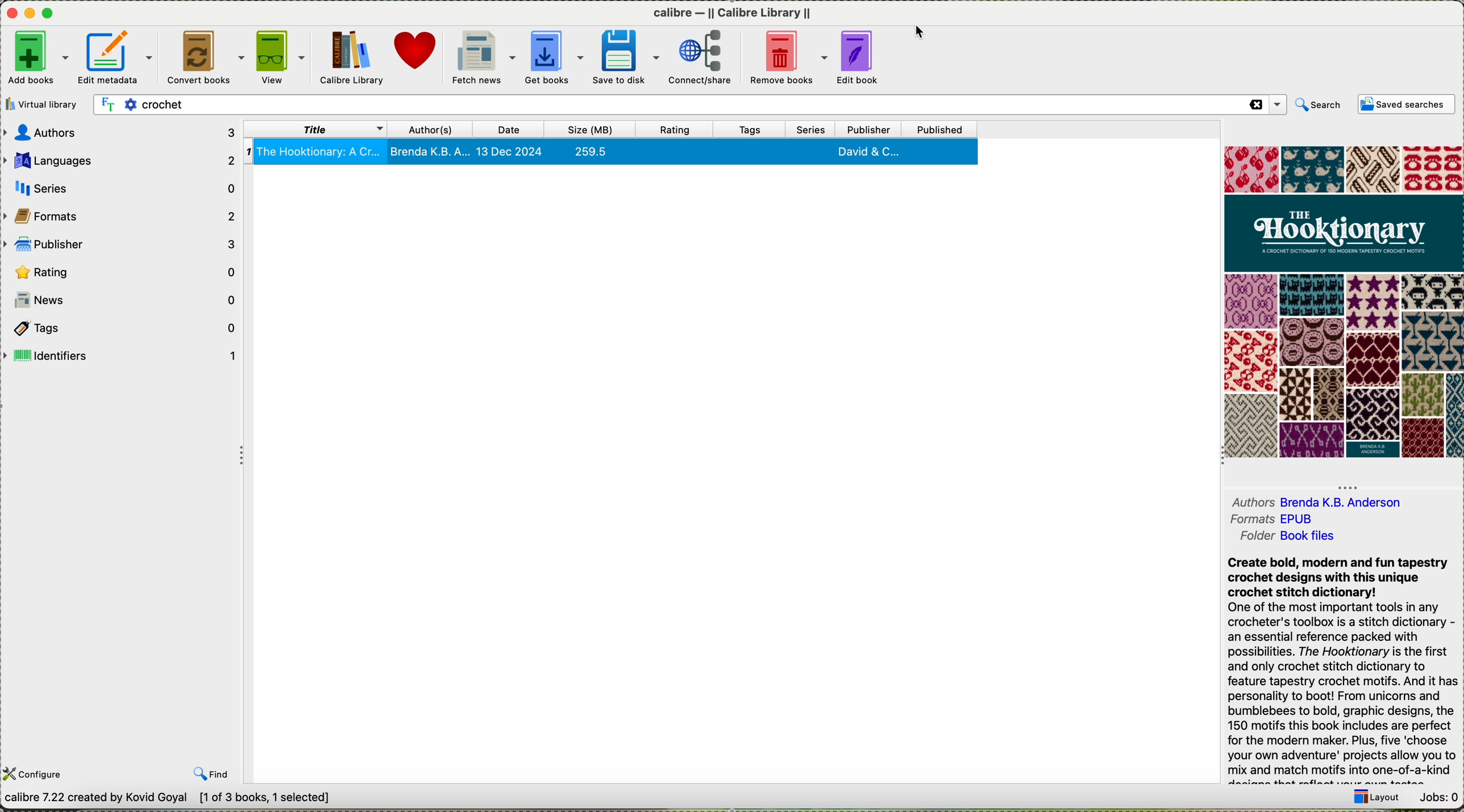 This screenshot has height=812, width=1464. I want to click on formats , so click(1252, 537).